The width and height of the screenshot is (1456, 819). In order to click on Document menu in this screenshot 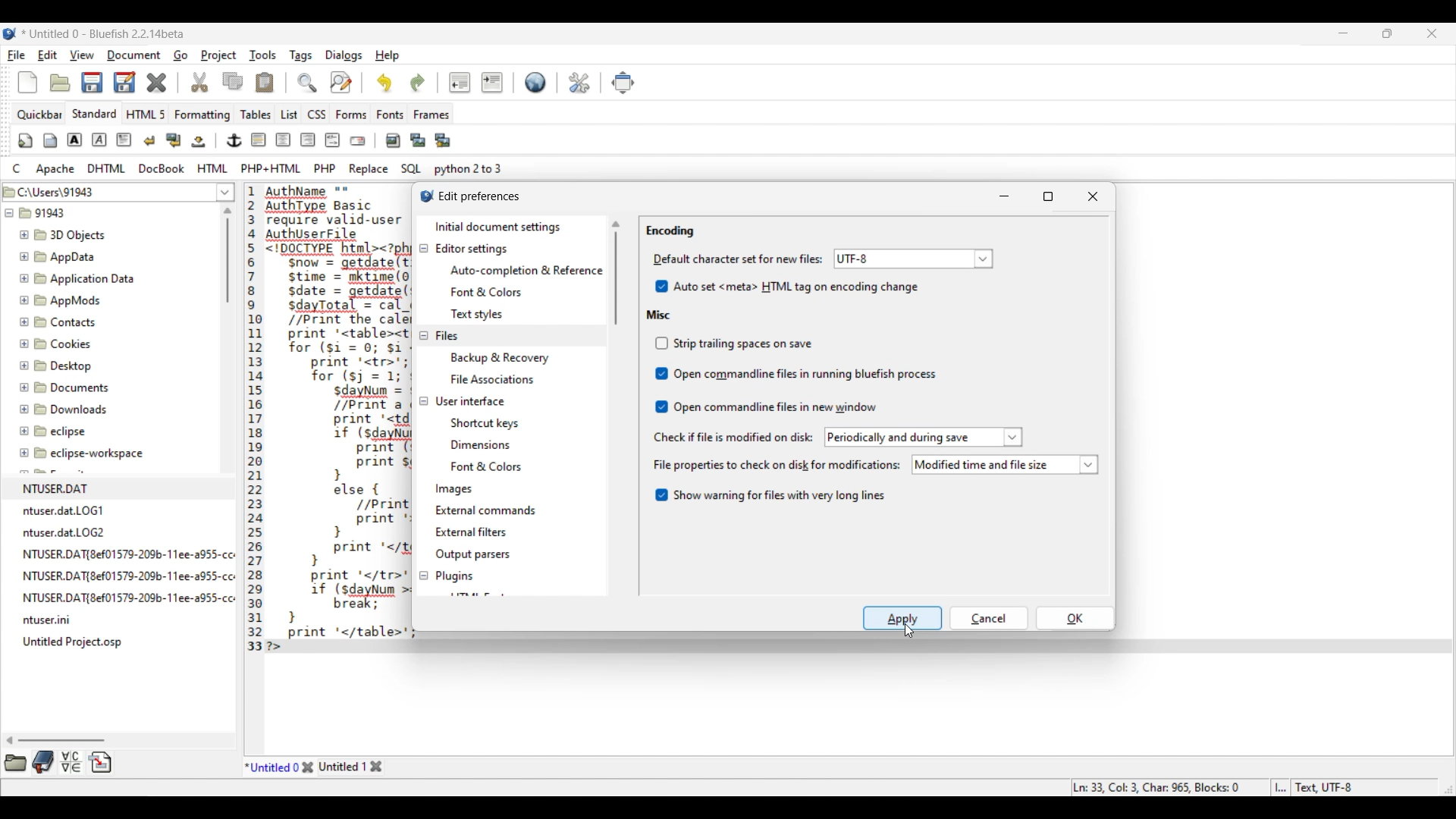, I will do `click(134, 55)`.